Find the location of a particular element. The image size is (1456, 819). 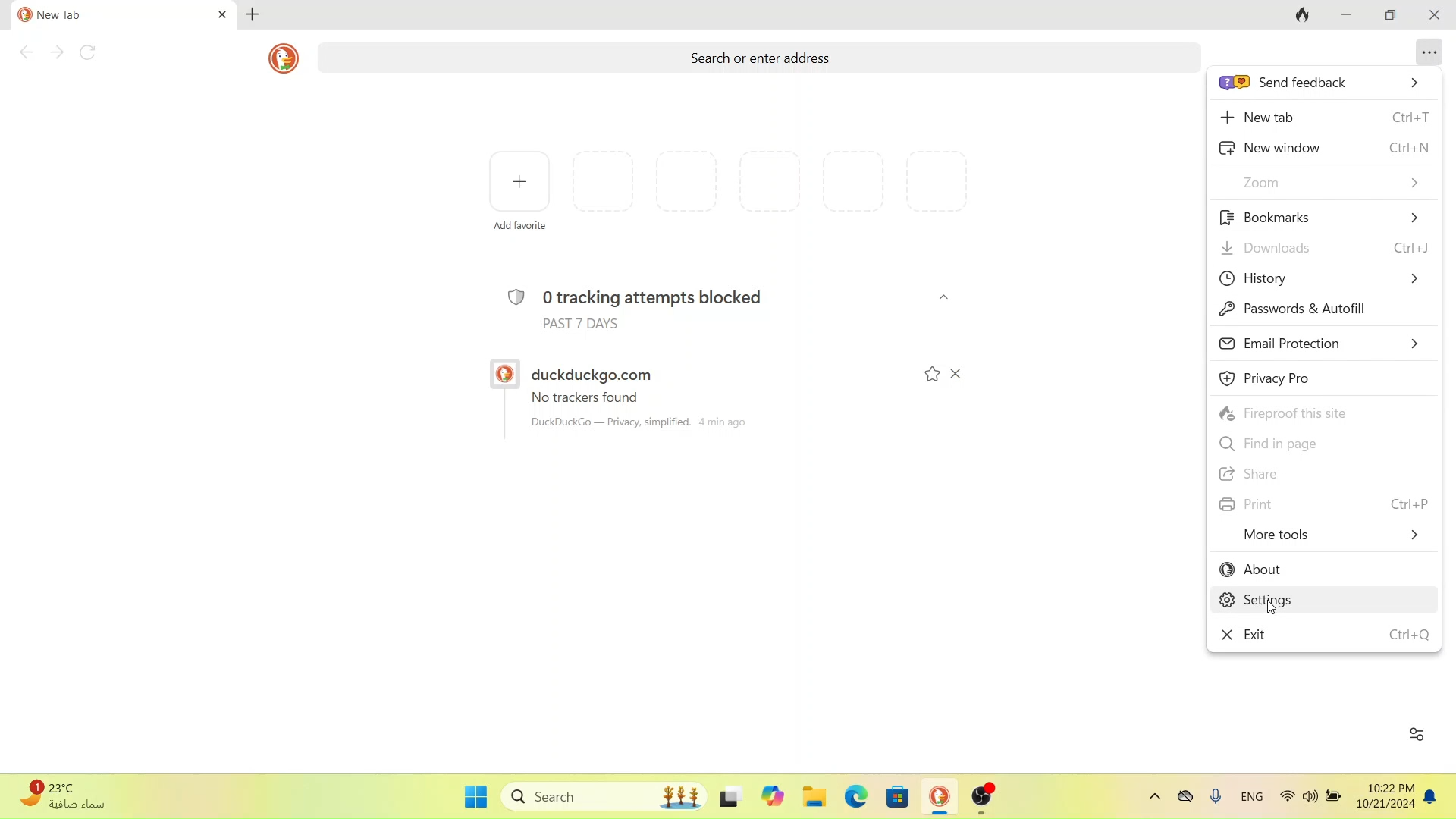

wifi is located at coordinates (1286, 802).